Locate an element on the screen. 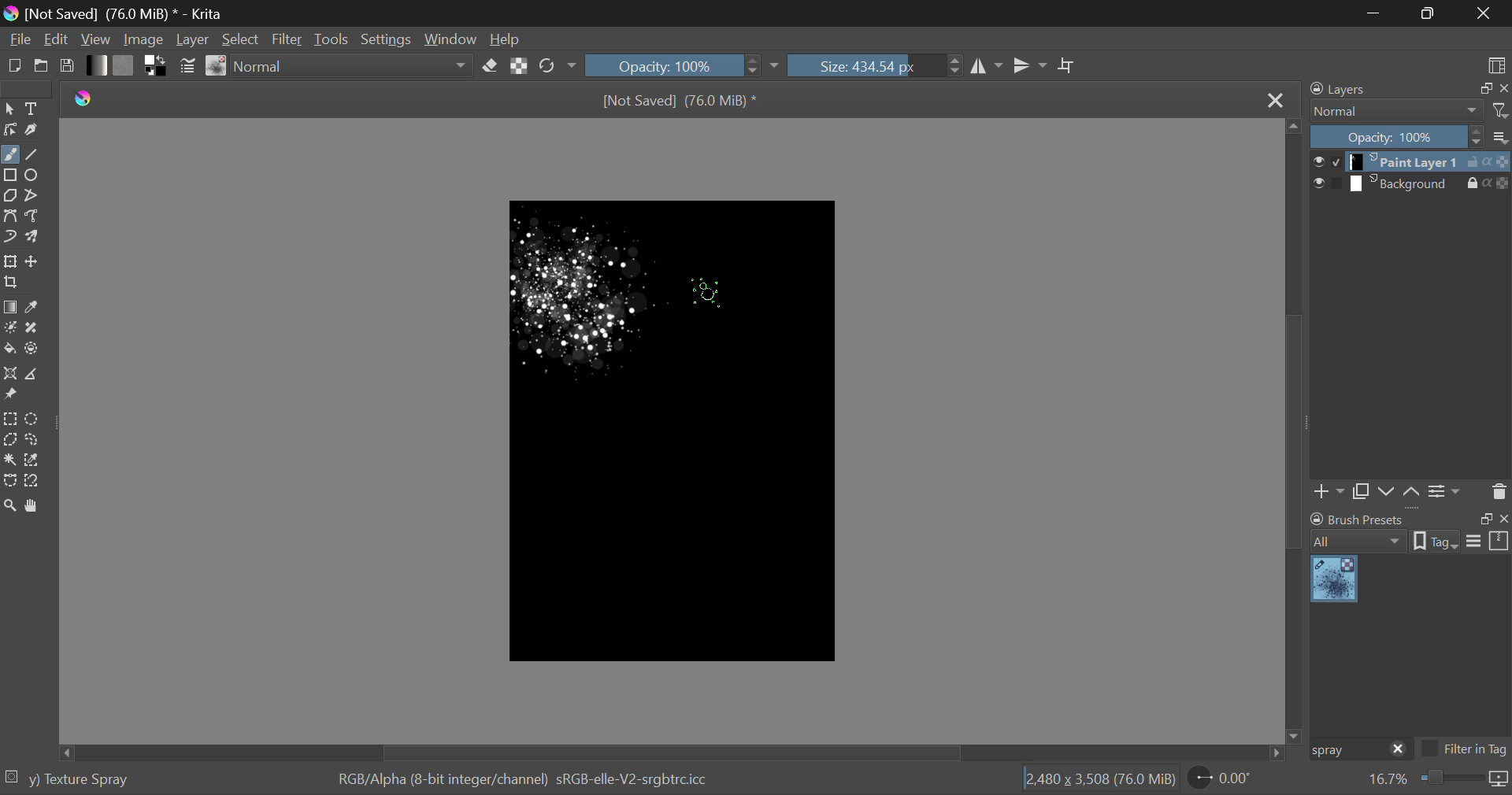 This screenshot has height=795, width=1512. Pan is located at coordinates (35, 507).